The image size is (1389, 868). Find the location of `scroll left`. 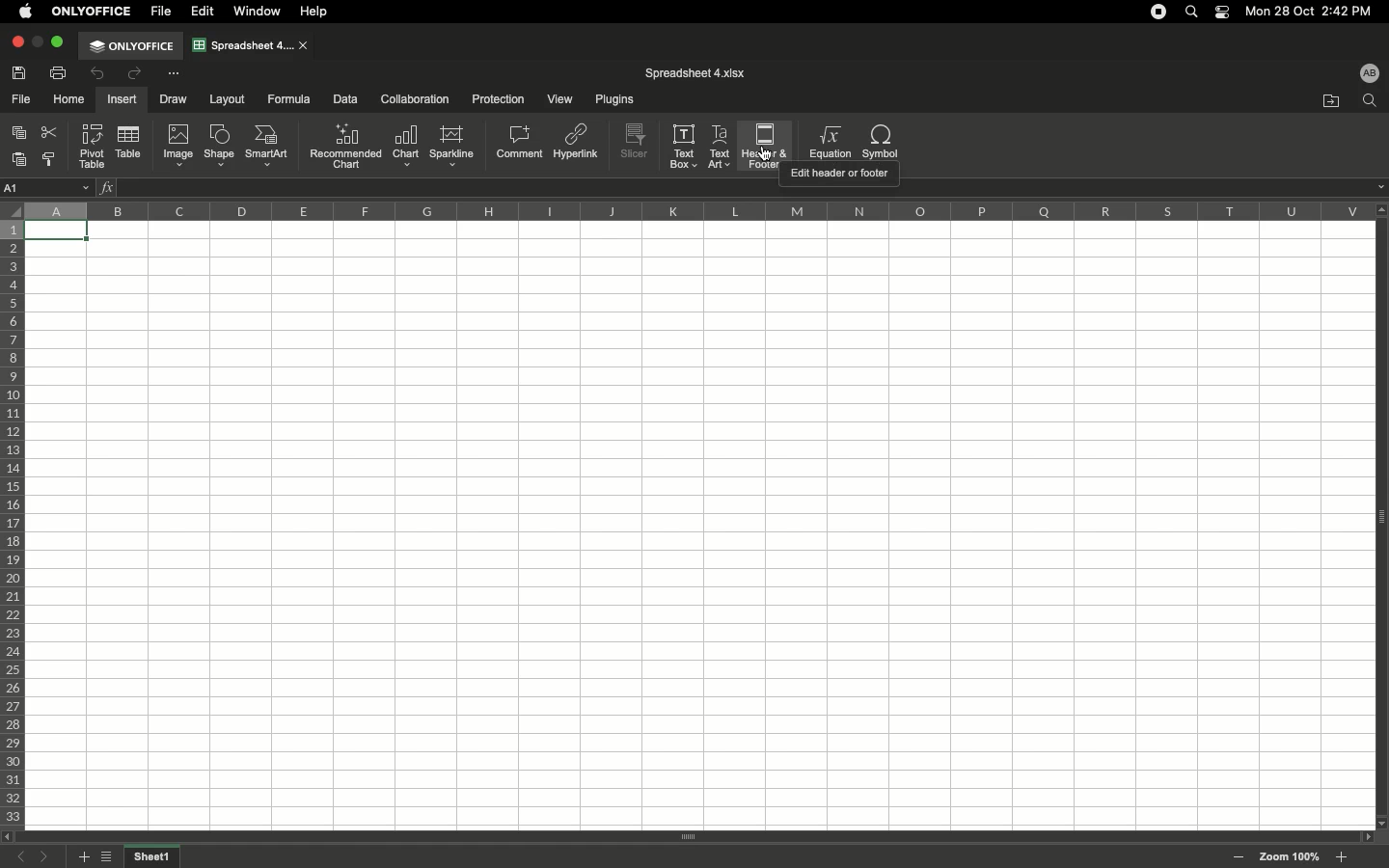

scroll left is located at coordinates (9, 837).